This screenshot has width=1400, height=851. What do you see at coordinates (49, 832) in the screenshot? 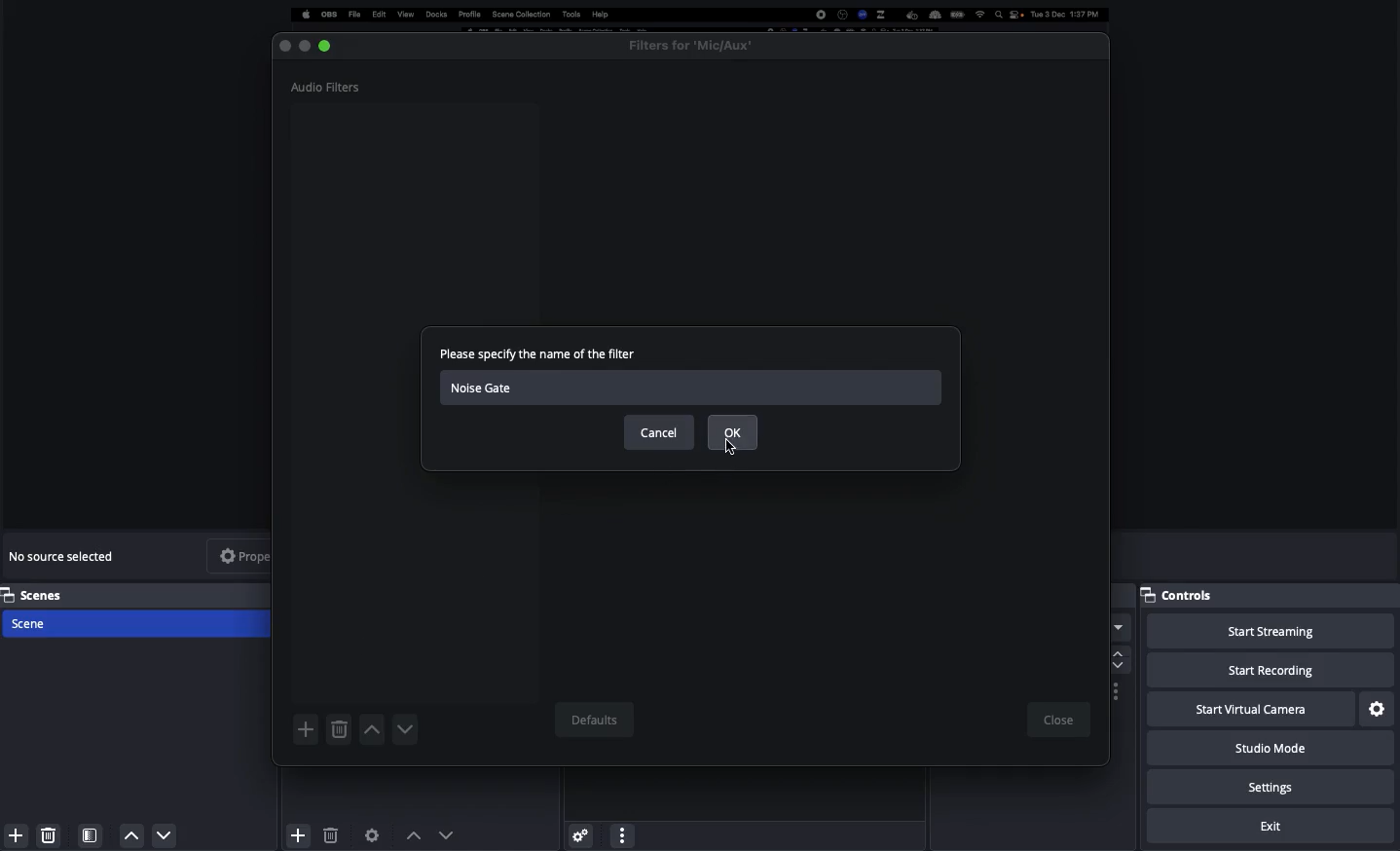
I see `Delete` at bounding box center [49, 832].